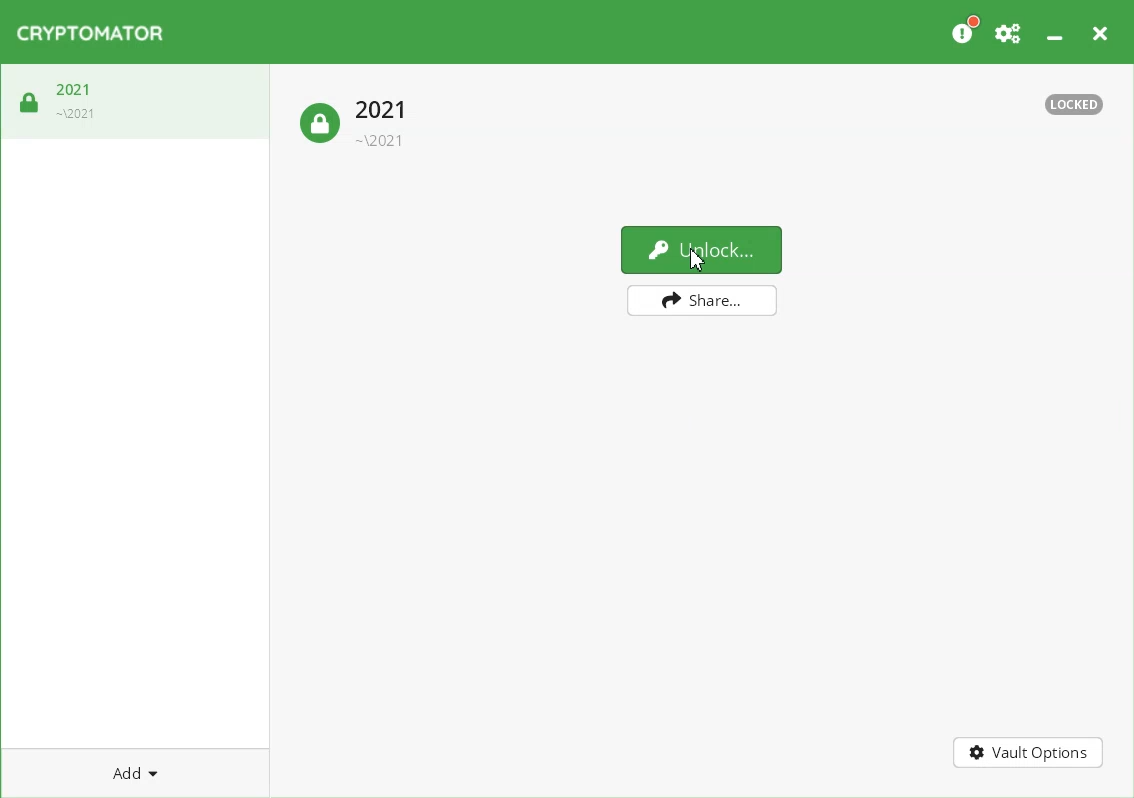  I want to click on Close, so click(1099, 30).